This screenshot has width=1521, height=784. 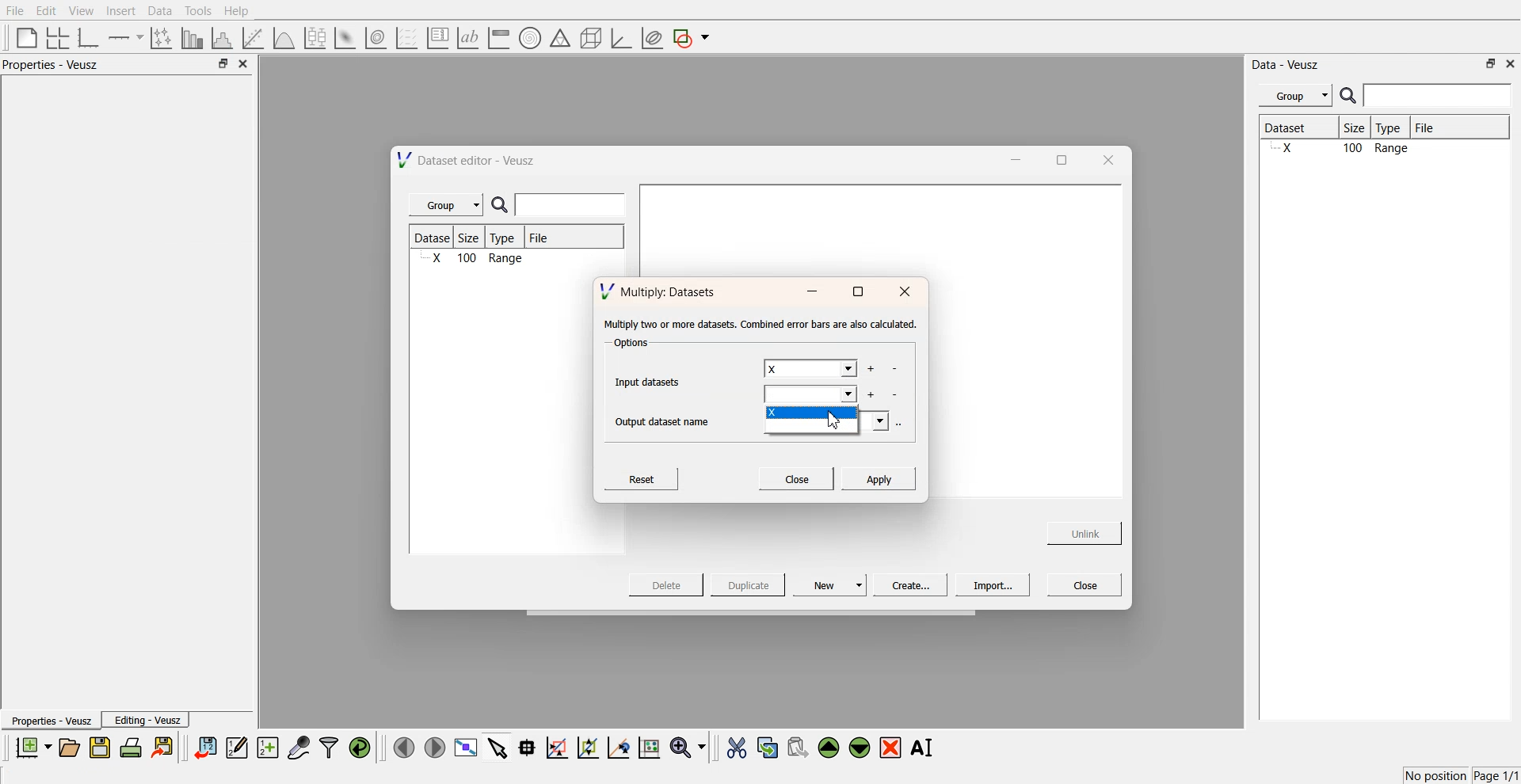 What do you see at coordinates (1439, 127) in the screenshot?
I see `File` at bounding box center [1439, 127].